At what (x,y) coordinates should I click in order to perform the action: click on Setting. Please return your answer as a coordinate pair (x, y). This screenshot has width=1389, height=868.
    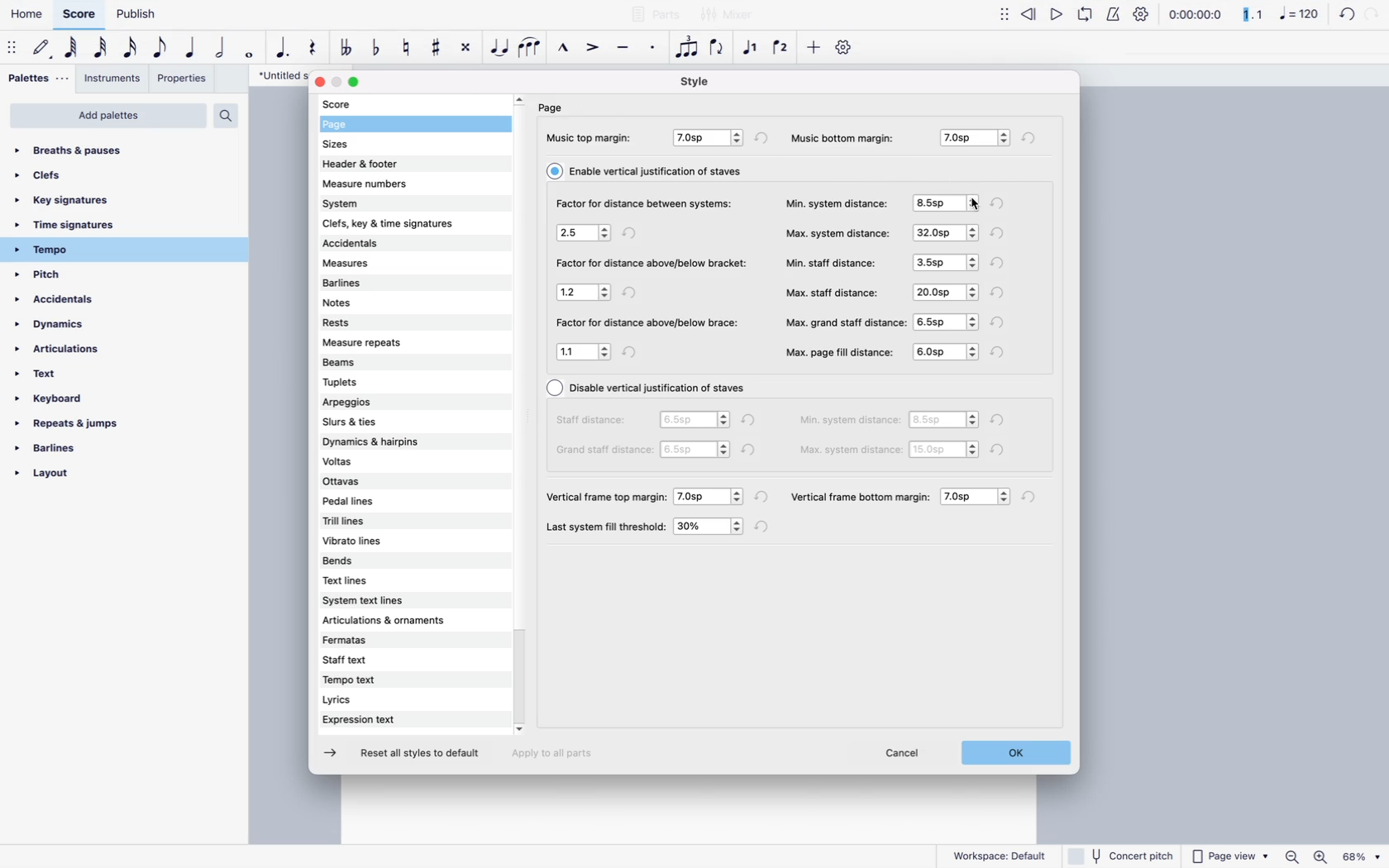
    Looking at the image, I should click on (847, 45).